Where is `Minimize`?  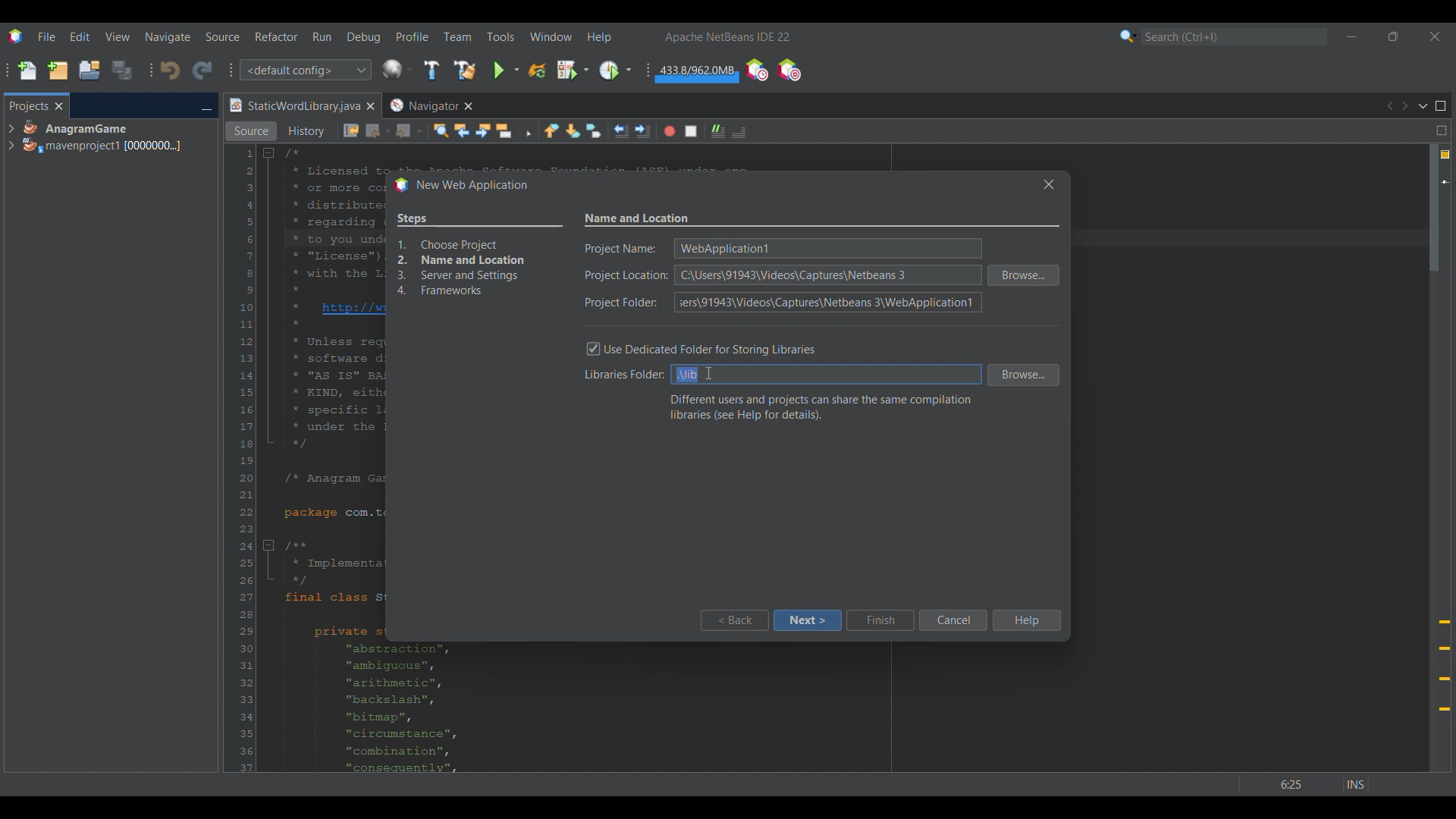
Minimize is located at coordinates (1351, 36).